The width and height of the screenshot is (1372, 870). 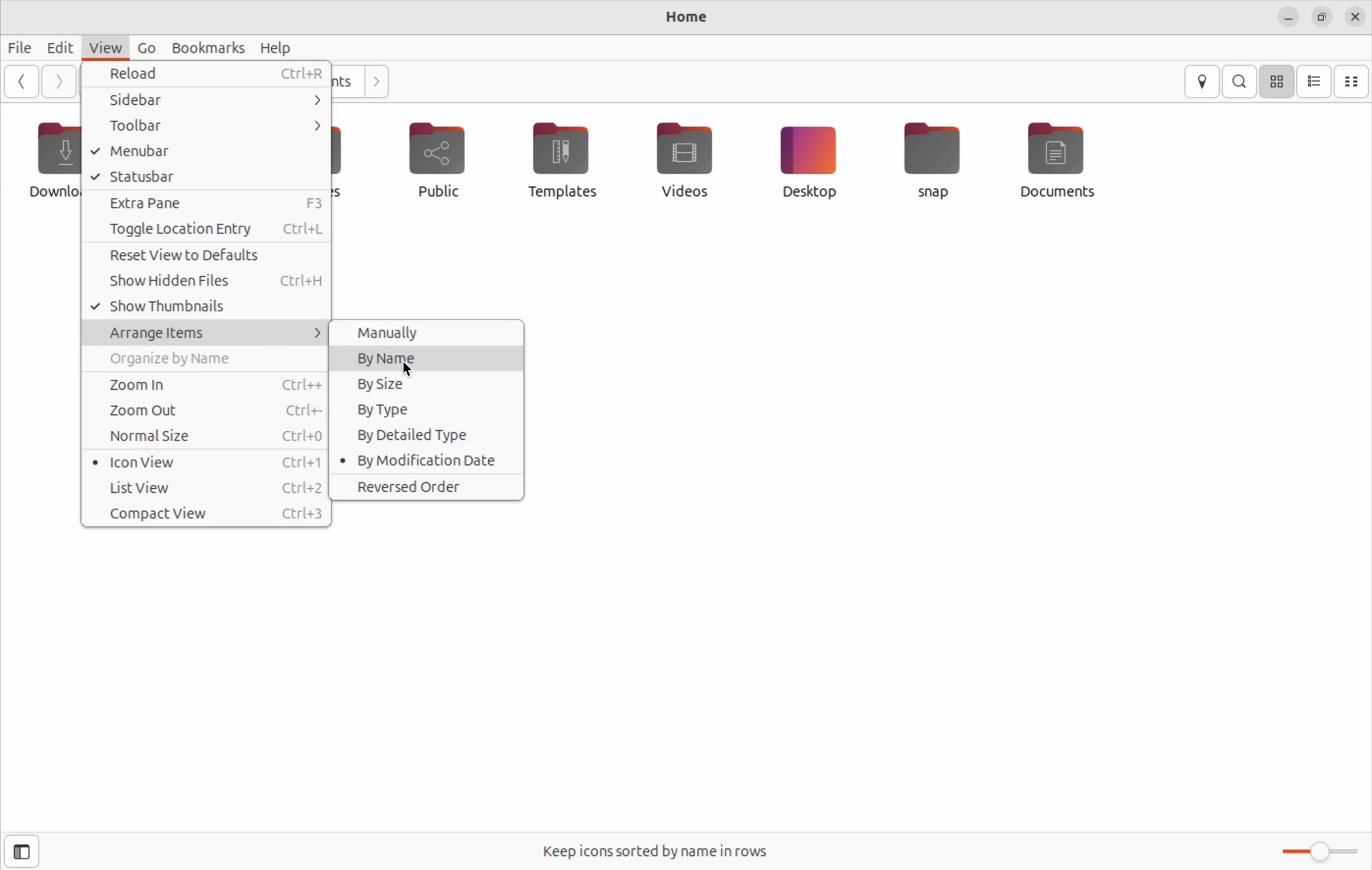 What do you see at coordinates (1203, 82) in the screenshot?
I see `location` at bounding box center [1203, 82].